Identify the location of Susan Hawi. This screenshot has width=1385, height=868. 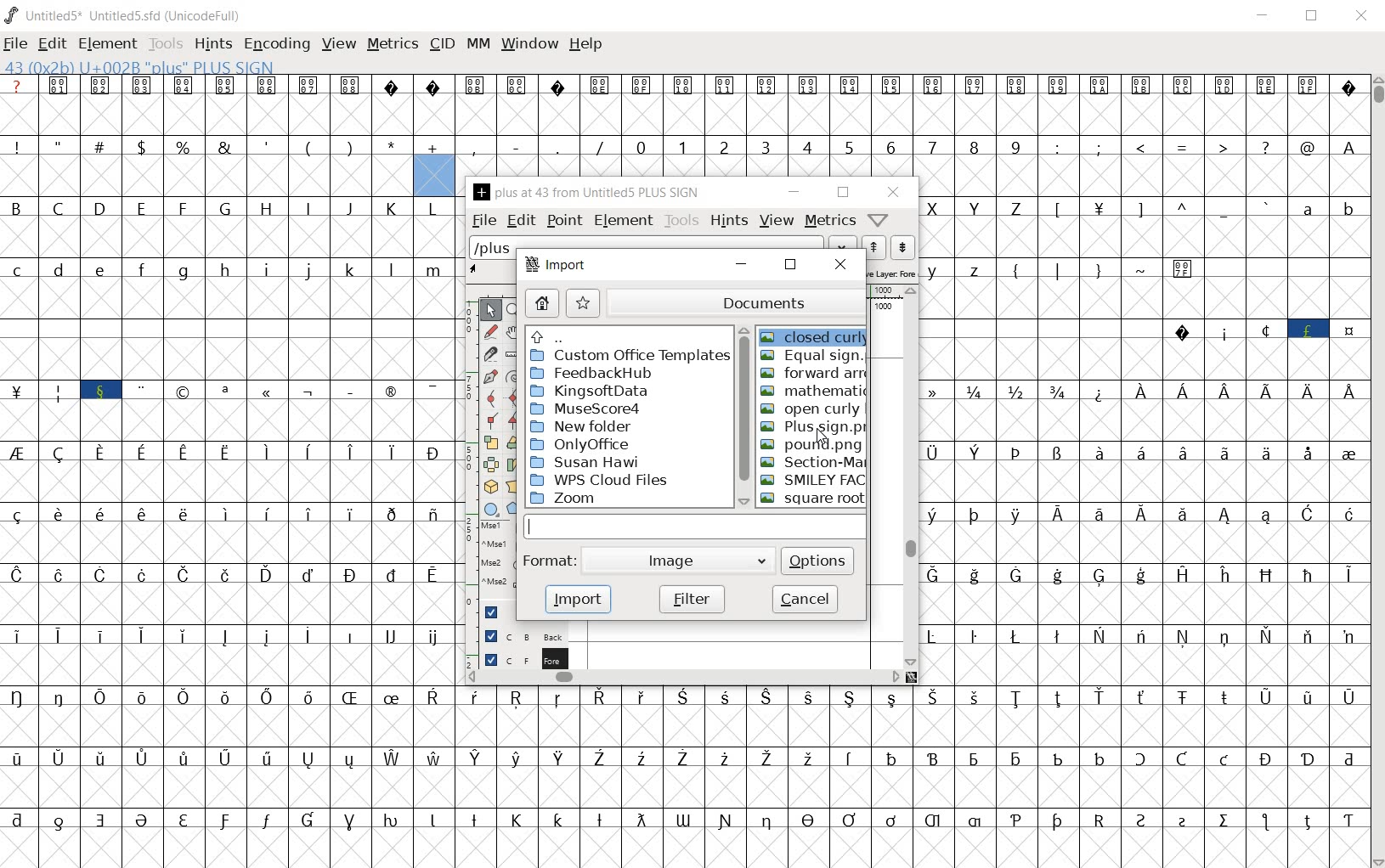
(589, 462).